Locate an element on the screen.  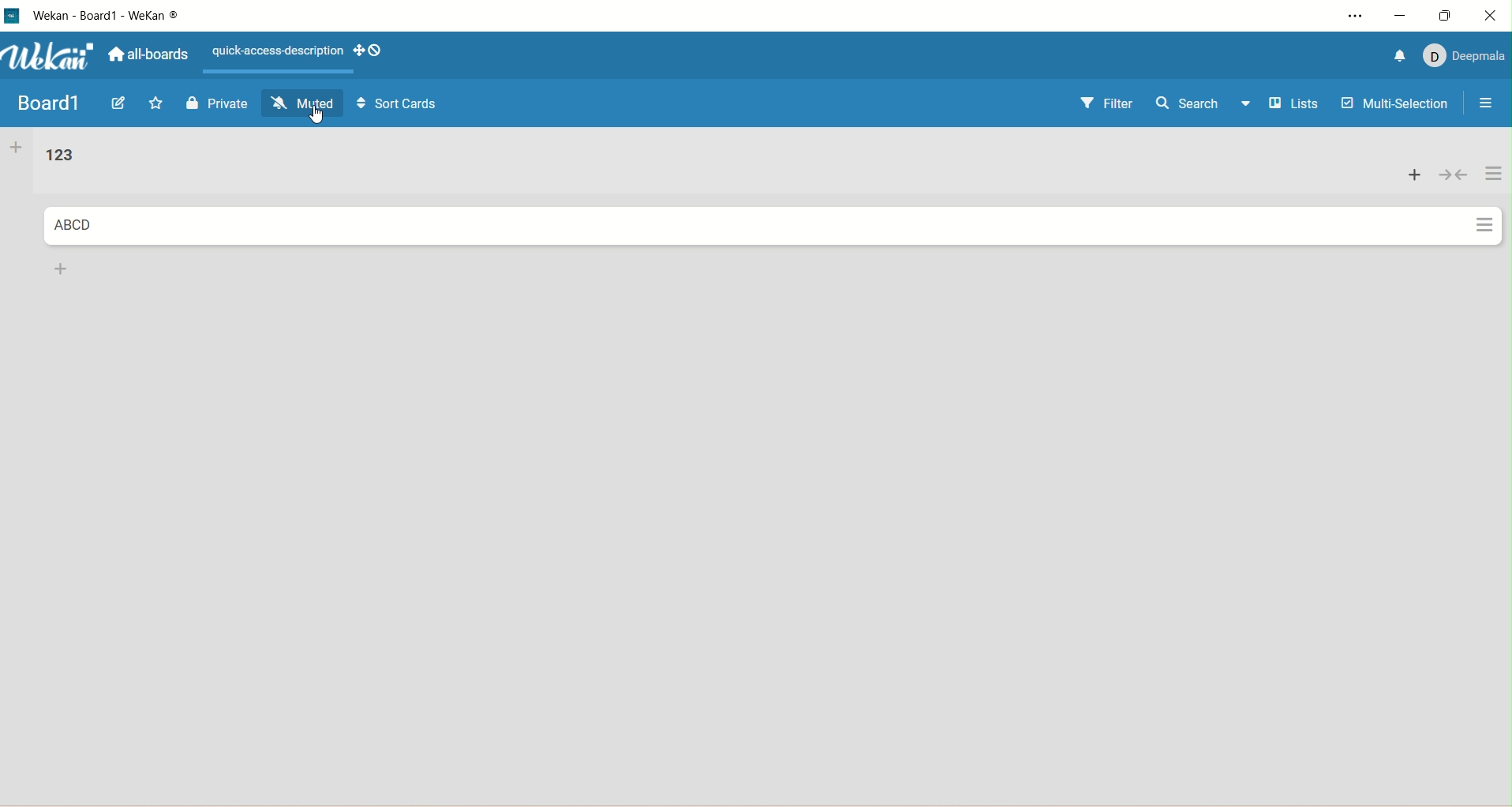
private is located at coordinates (218, 103).